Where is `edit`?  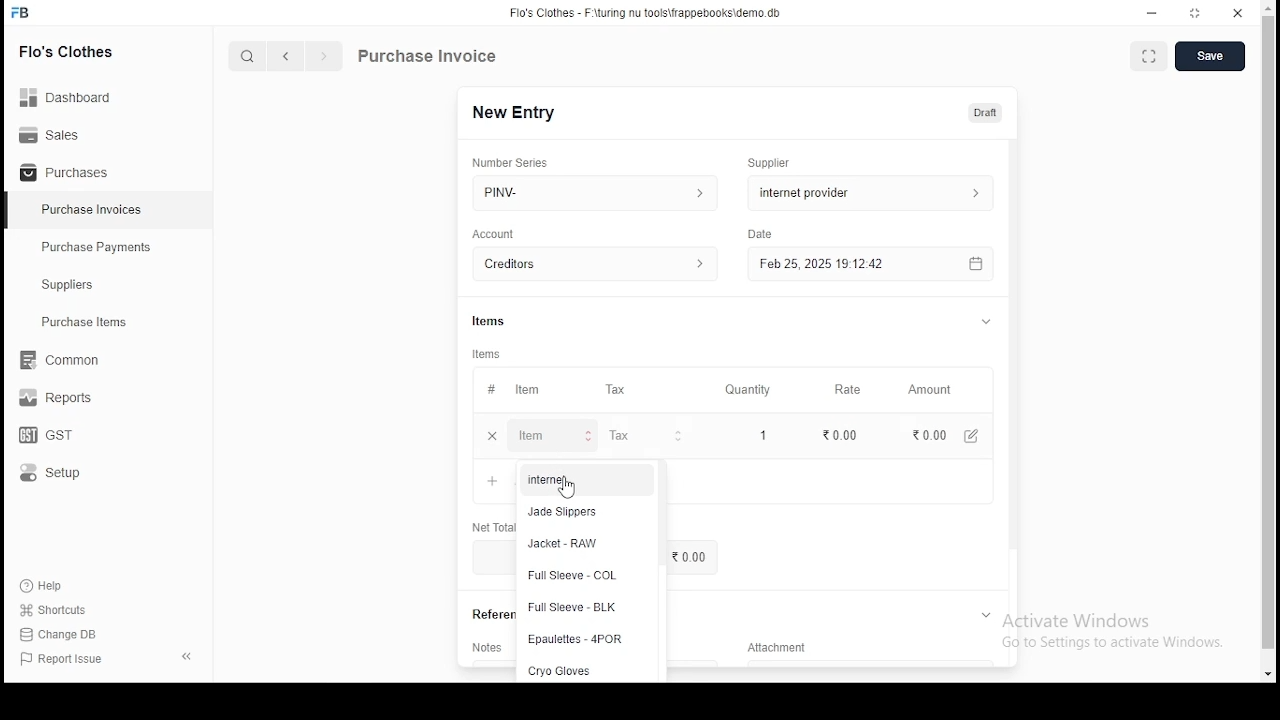 edit is located at coordinates (974, 437).